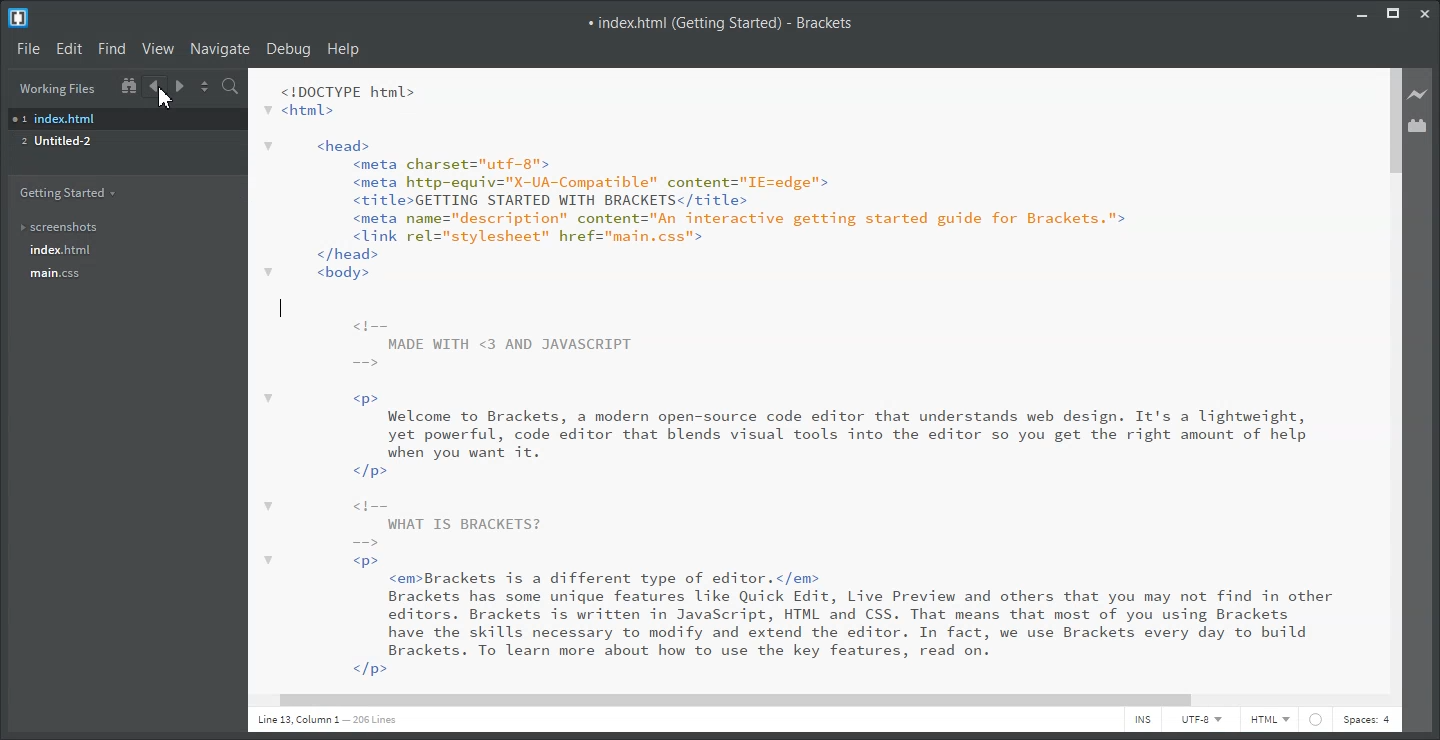 This screenshot has width=1440, height=740. What do you see at coordinates (722, 23) in the screenshot?
I see `Text` at bounding box center [722, 23].